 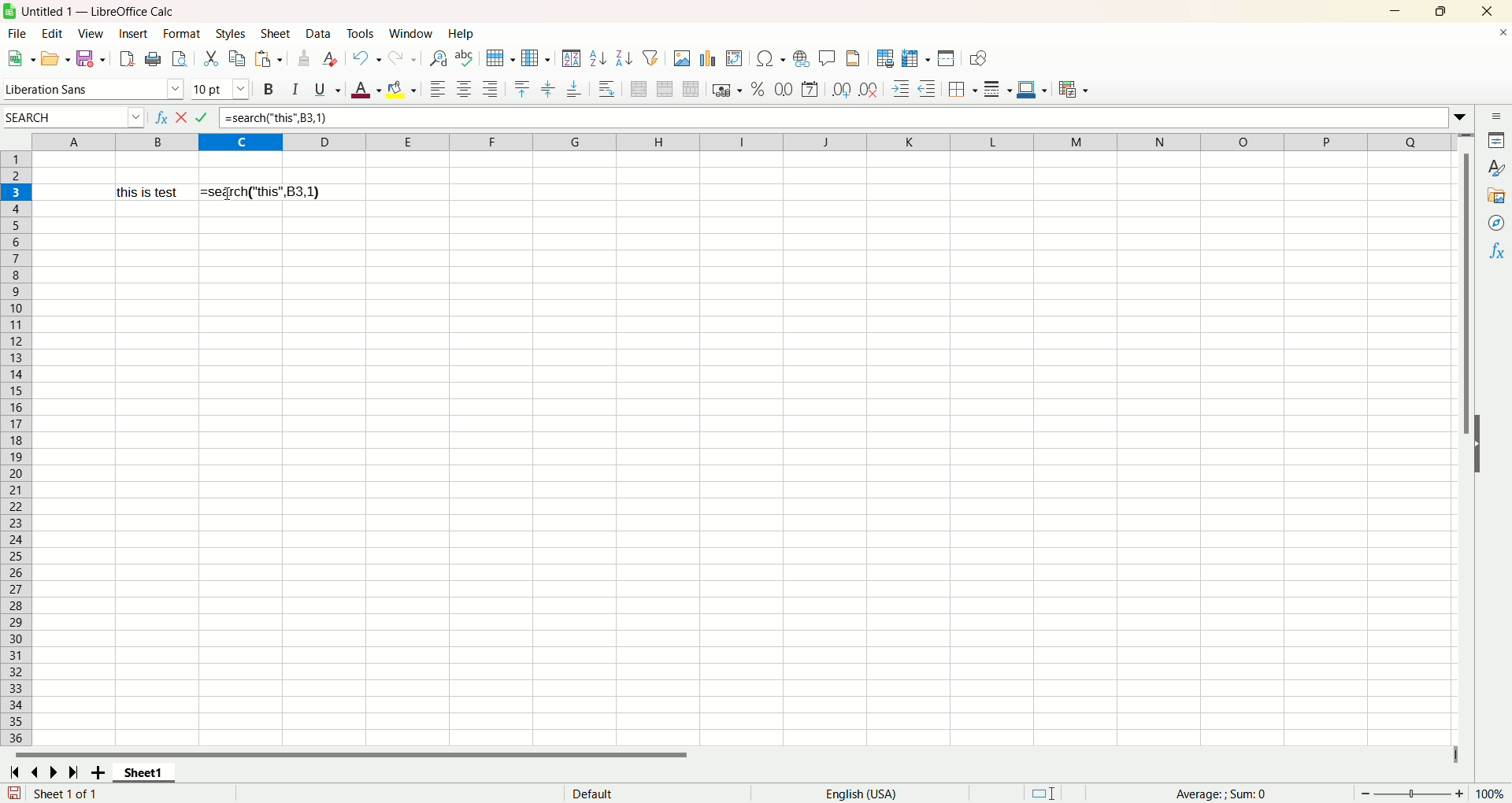 I want to click on header and footer, so click(x=855, y=58).